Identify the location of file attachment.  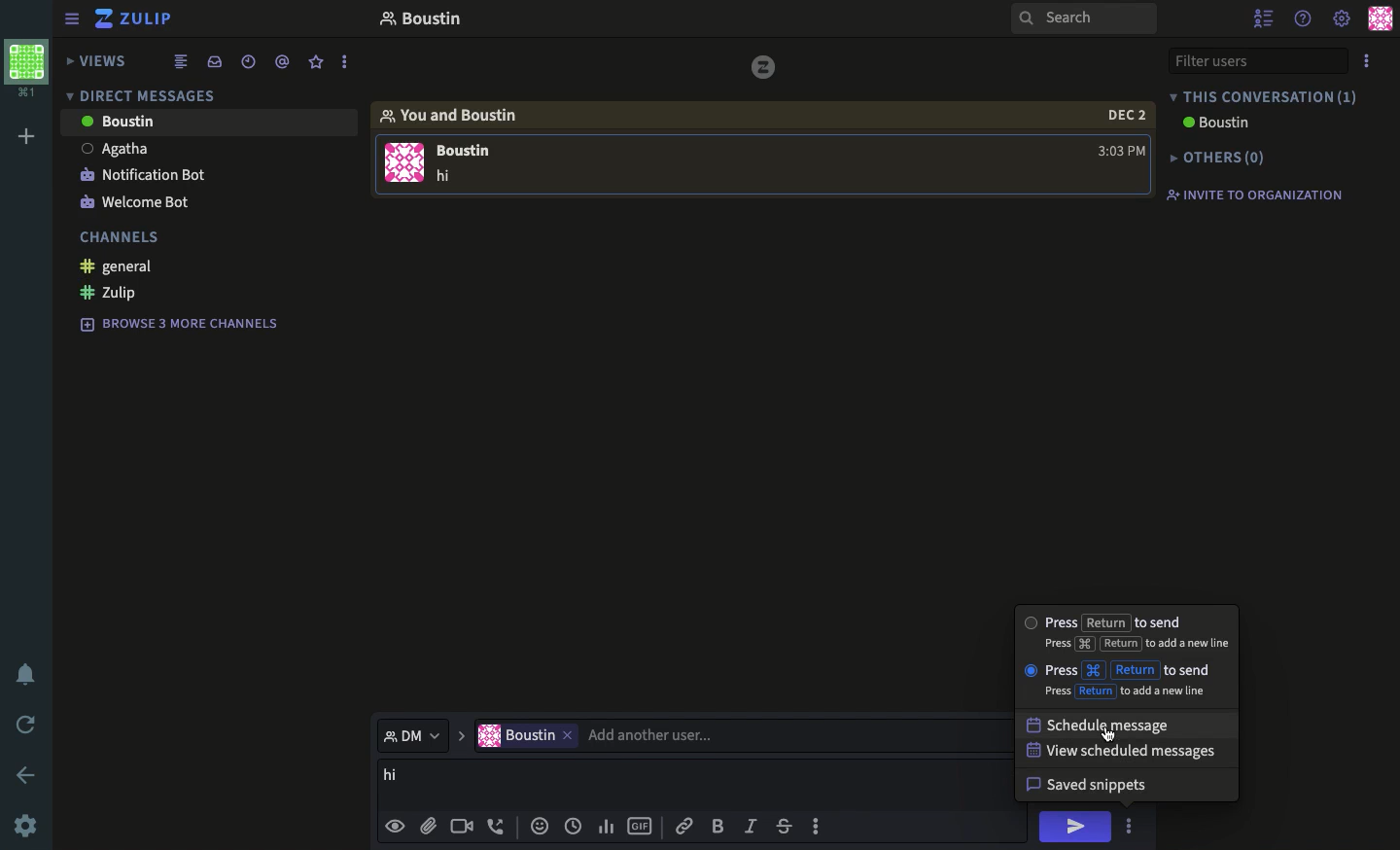
(428, 825).